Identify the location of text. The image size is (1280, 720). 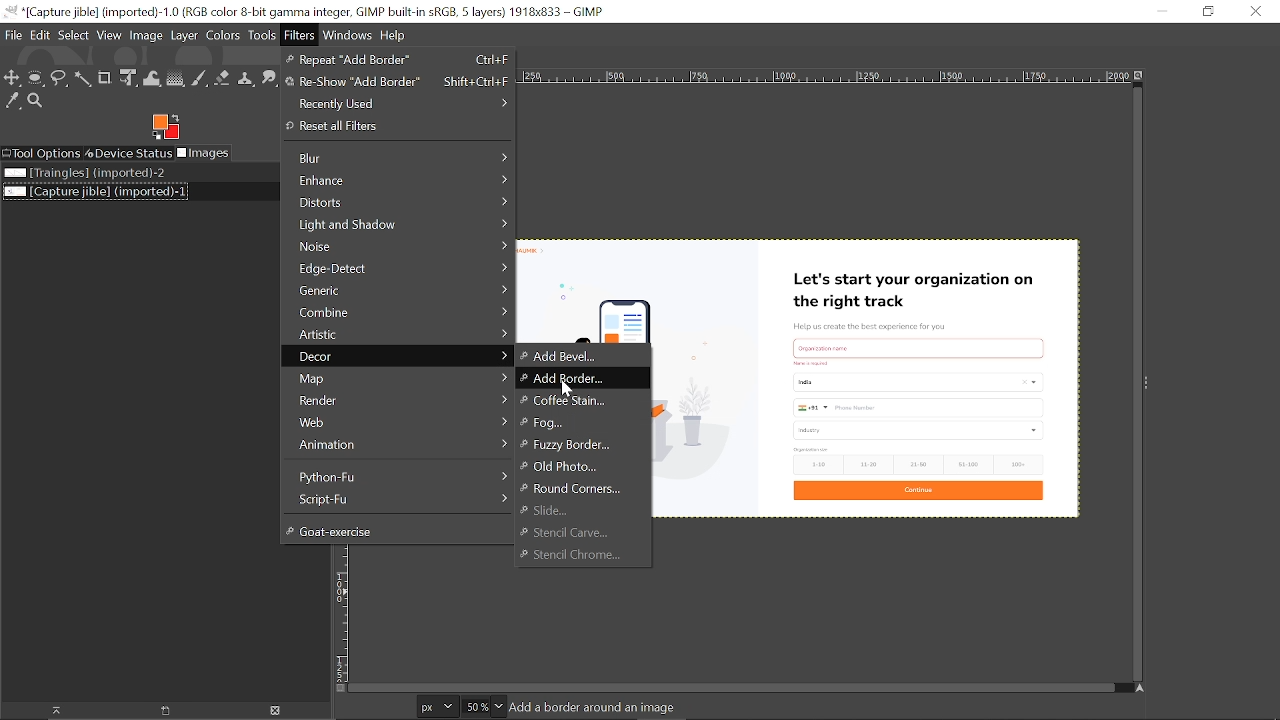
(813, 448).